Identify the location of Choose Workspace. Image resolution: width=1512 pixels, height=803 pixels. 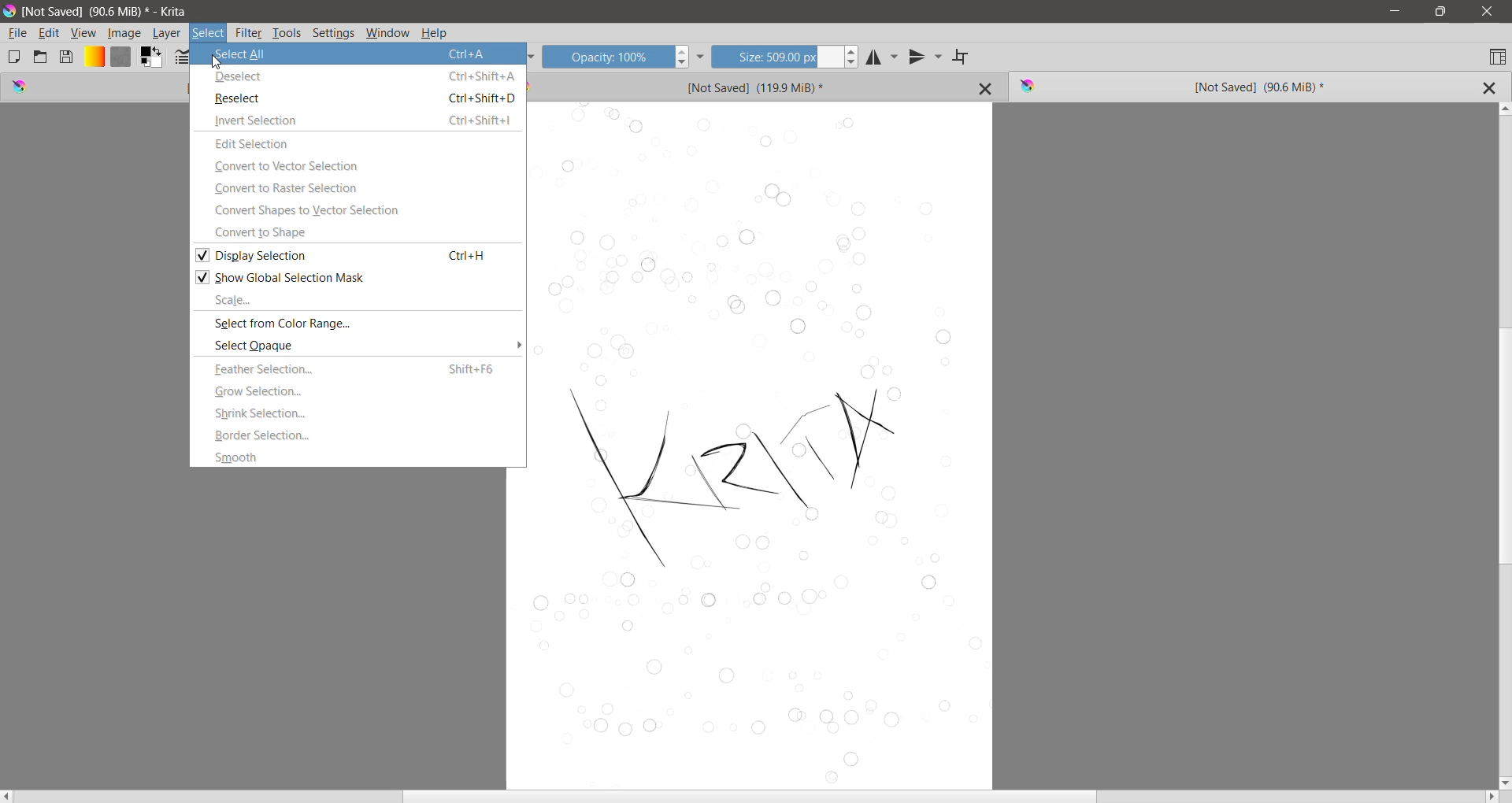
(1497, 56).